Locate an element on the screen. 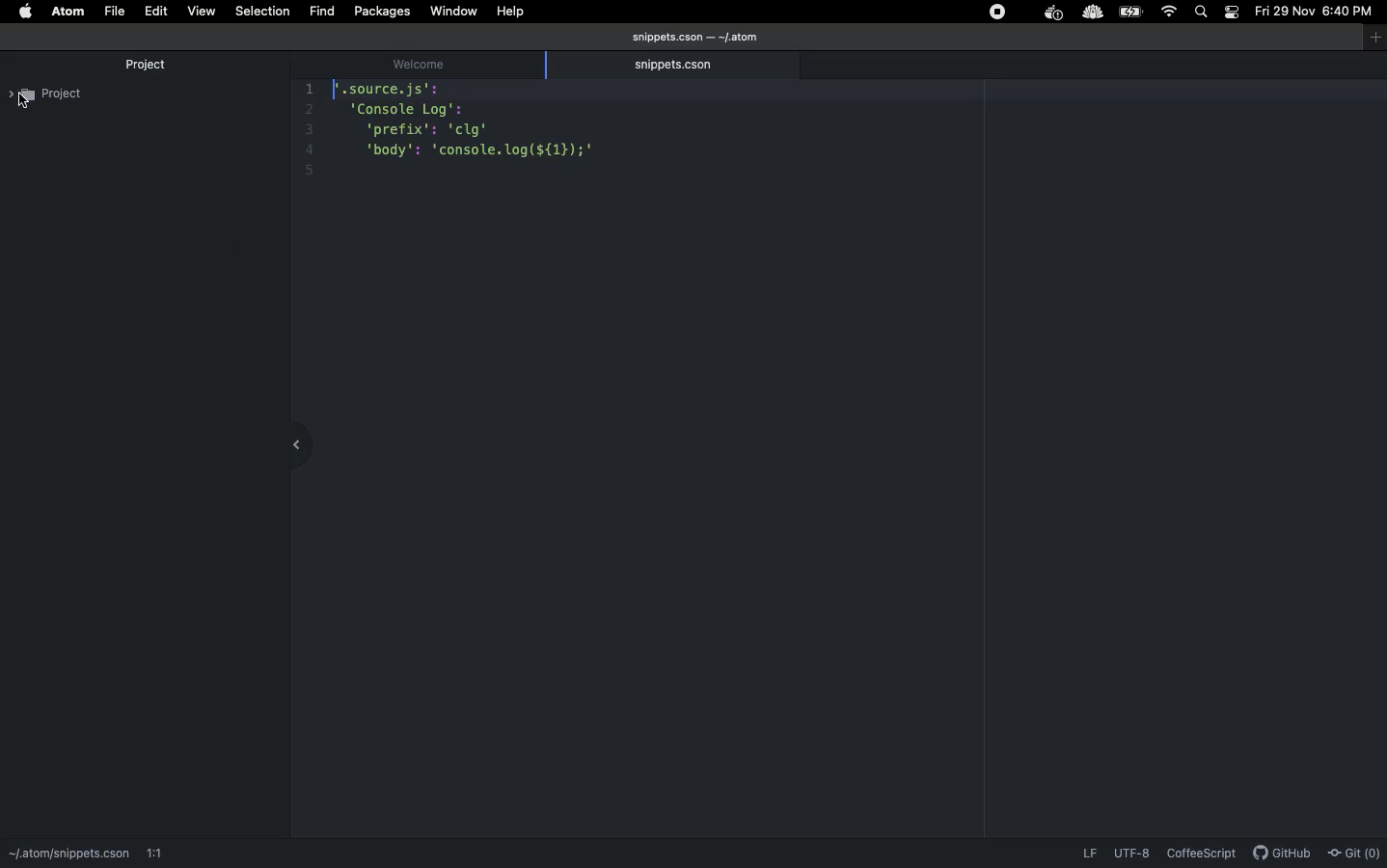 The height and width of the screenshot is (868, 1387). snippets.cson is located at coordinates (705, 37).